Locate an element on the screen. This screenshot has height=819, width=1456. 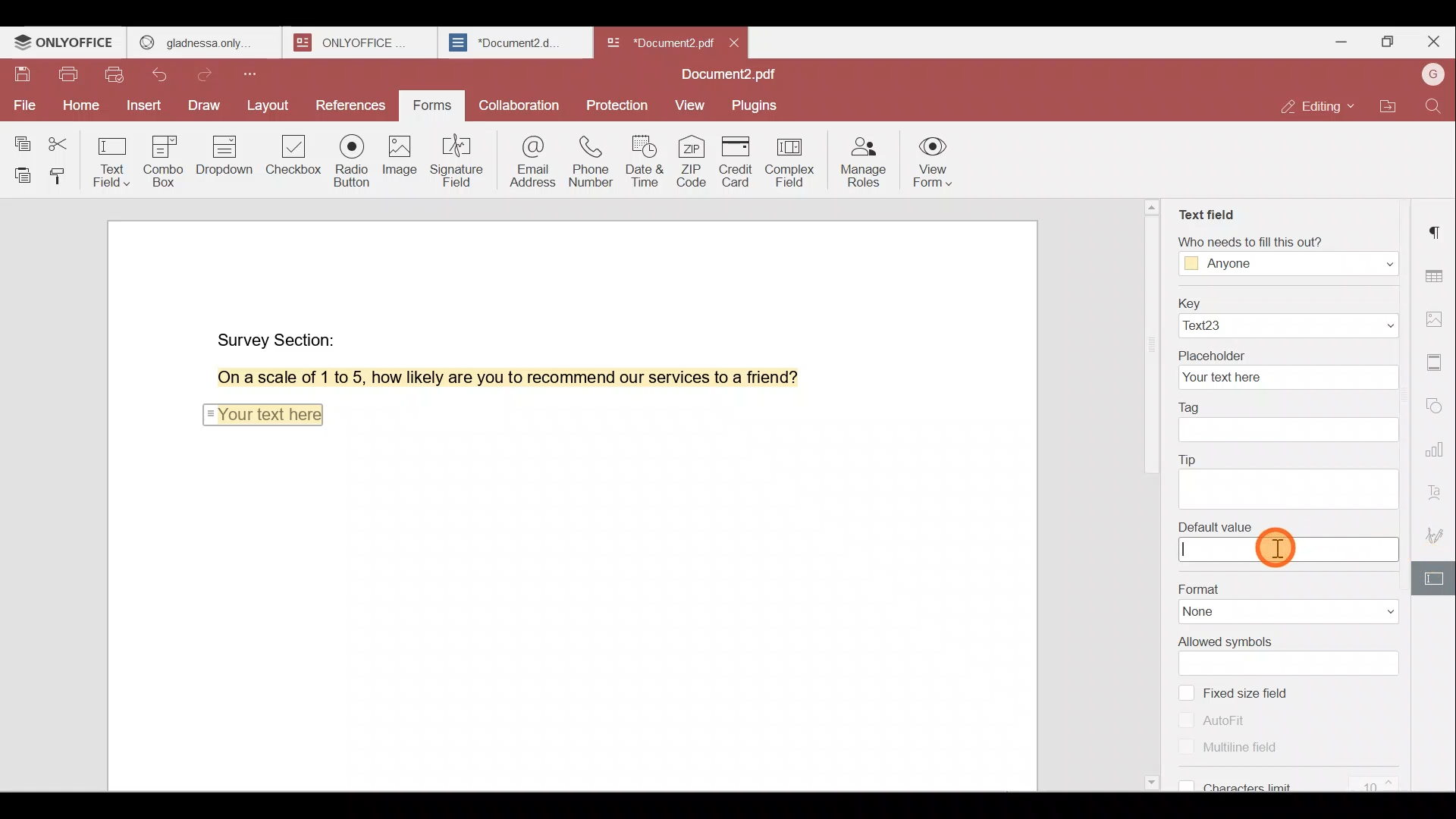
Plugins is located at coordinates (757, 104).